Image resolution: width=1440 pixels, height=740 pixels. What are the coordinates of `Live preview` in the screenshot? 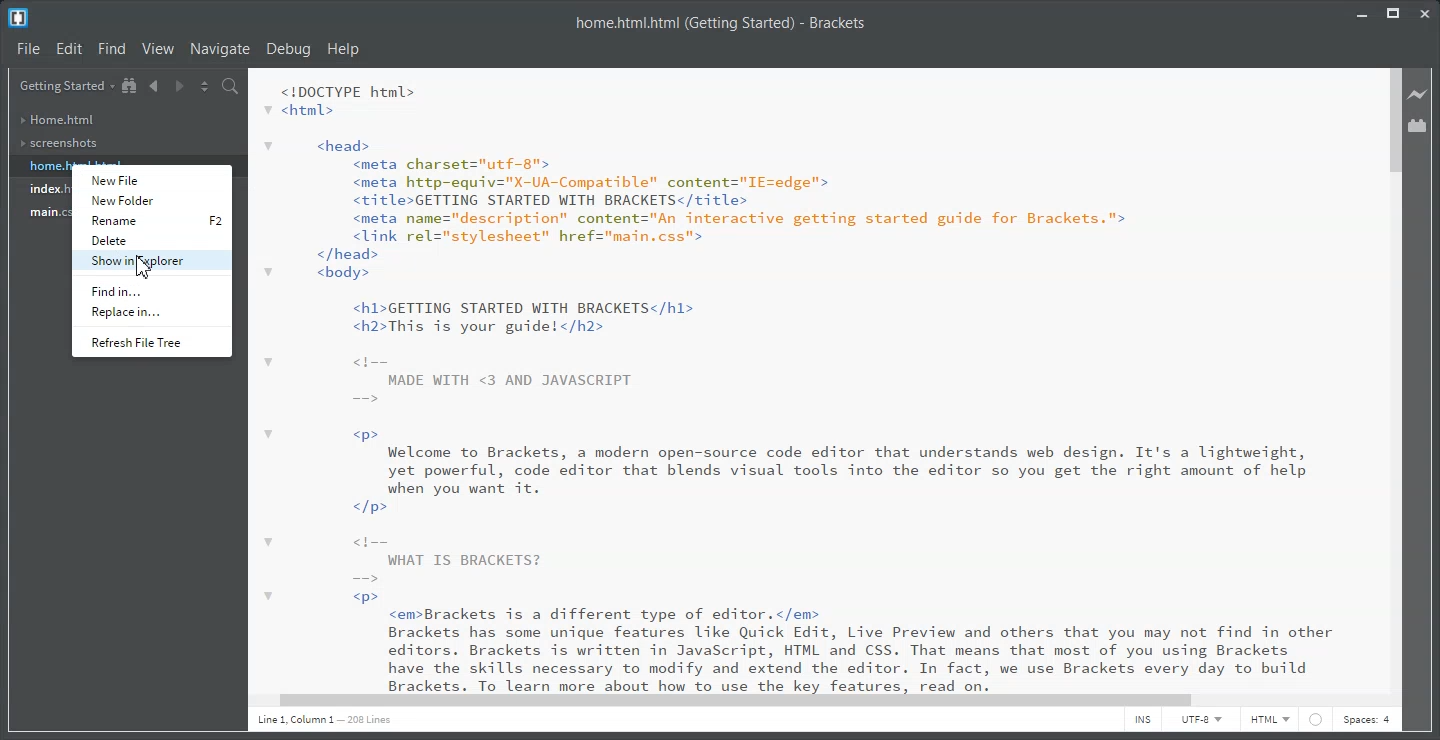 It's located at (1419, 94).